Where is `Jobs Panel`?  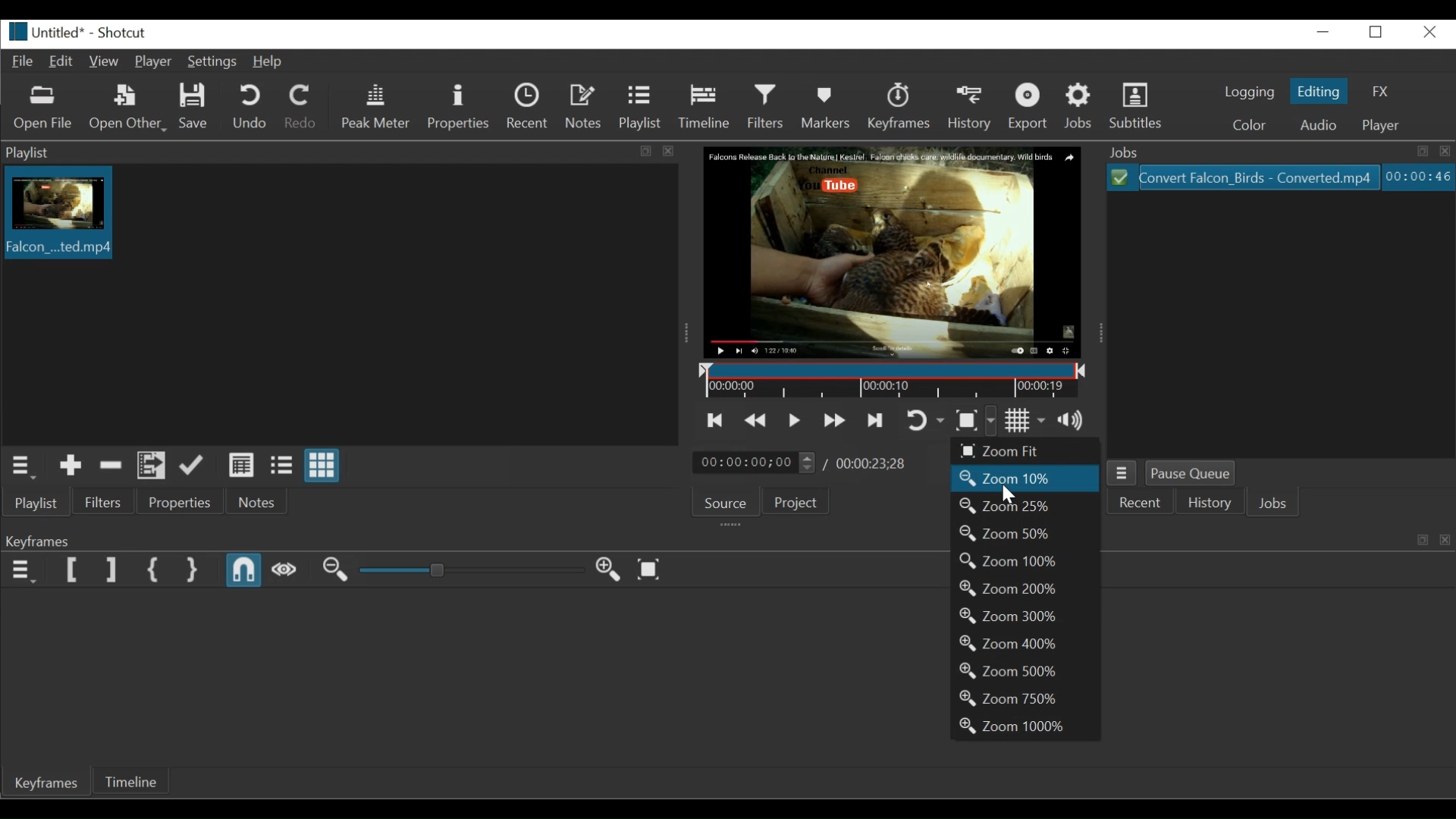
Jobs Panel is located at coordinates (1275, 152).